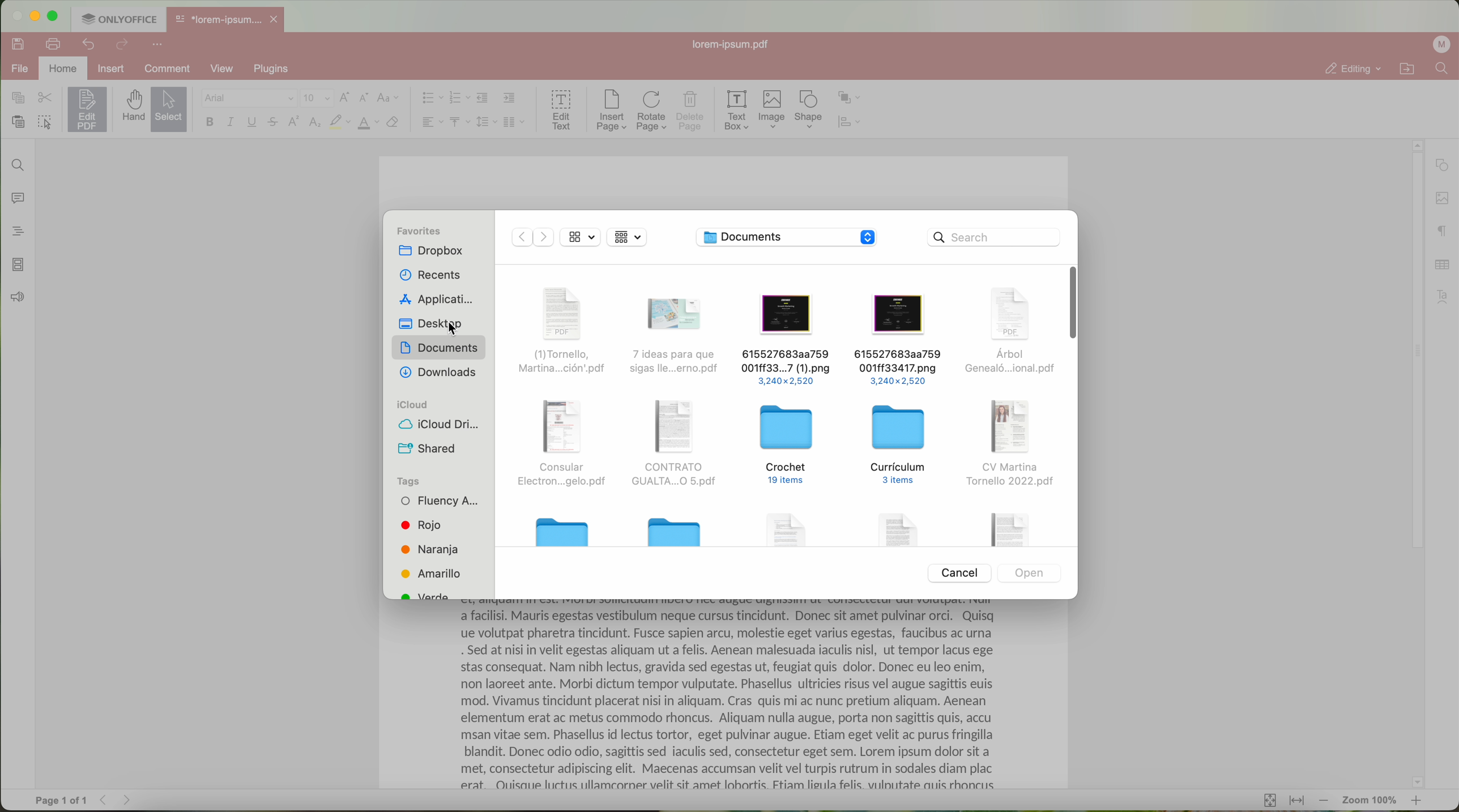 The height and width of the screenshot is (812, 1459). What do you see at coordinates (431, 122) in the screenshot?
I see `horizontal align` at bounding box center [431, 122].